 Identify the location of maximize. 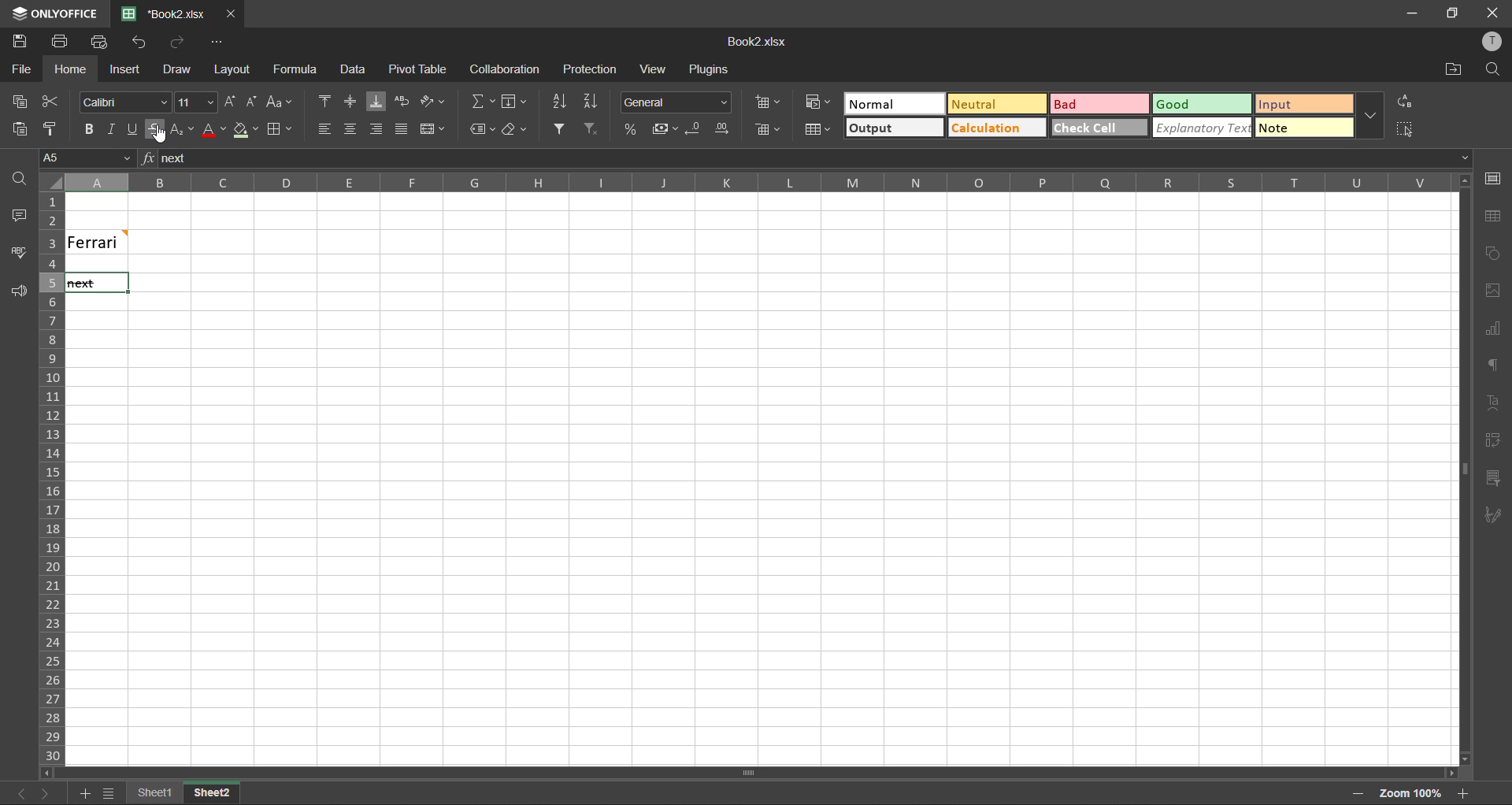
(1452, 13).